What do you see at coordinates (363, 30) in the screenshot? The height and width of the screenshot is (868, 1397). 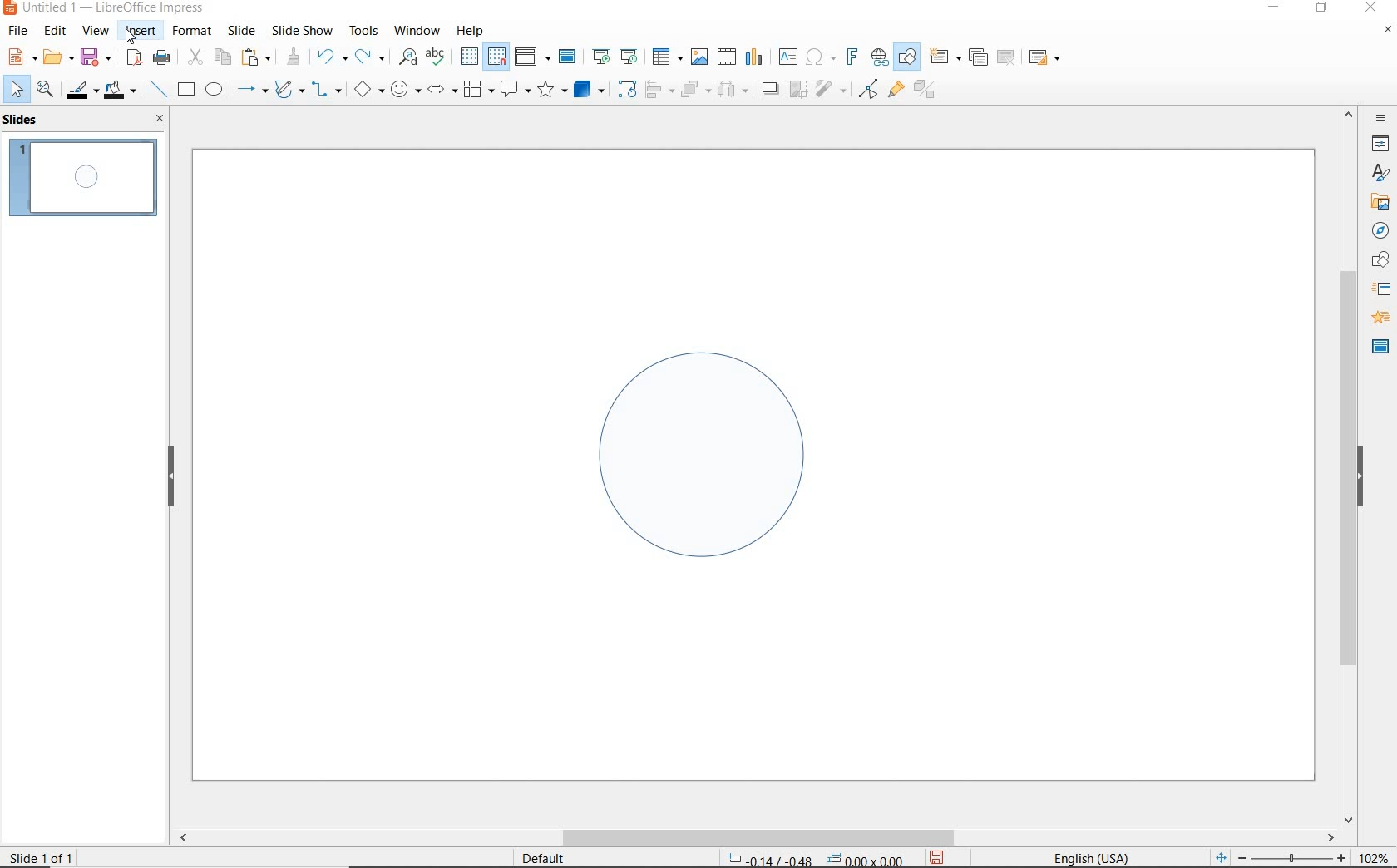 I see `tools` at bounding box center [363, 30].